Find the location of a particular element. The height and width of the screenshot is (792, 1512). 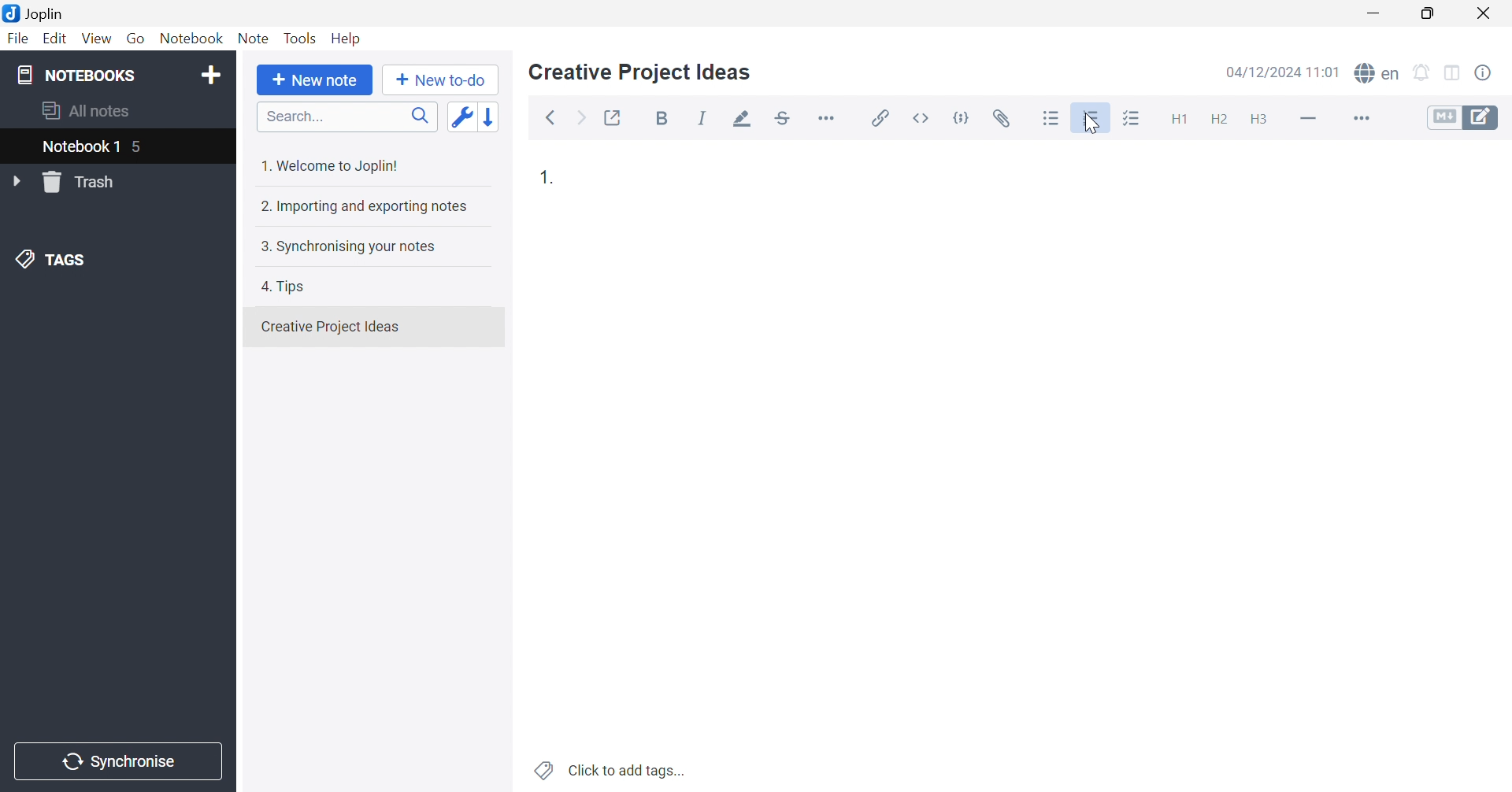

Highlight is located at coordinates (744, 120).